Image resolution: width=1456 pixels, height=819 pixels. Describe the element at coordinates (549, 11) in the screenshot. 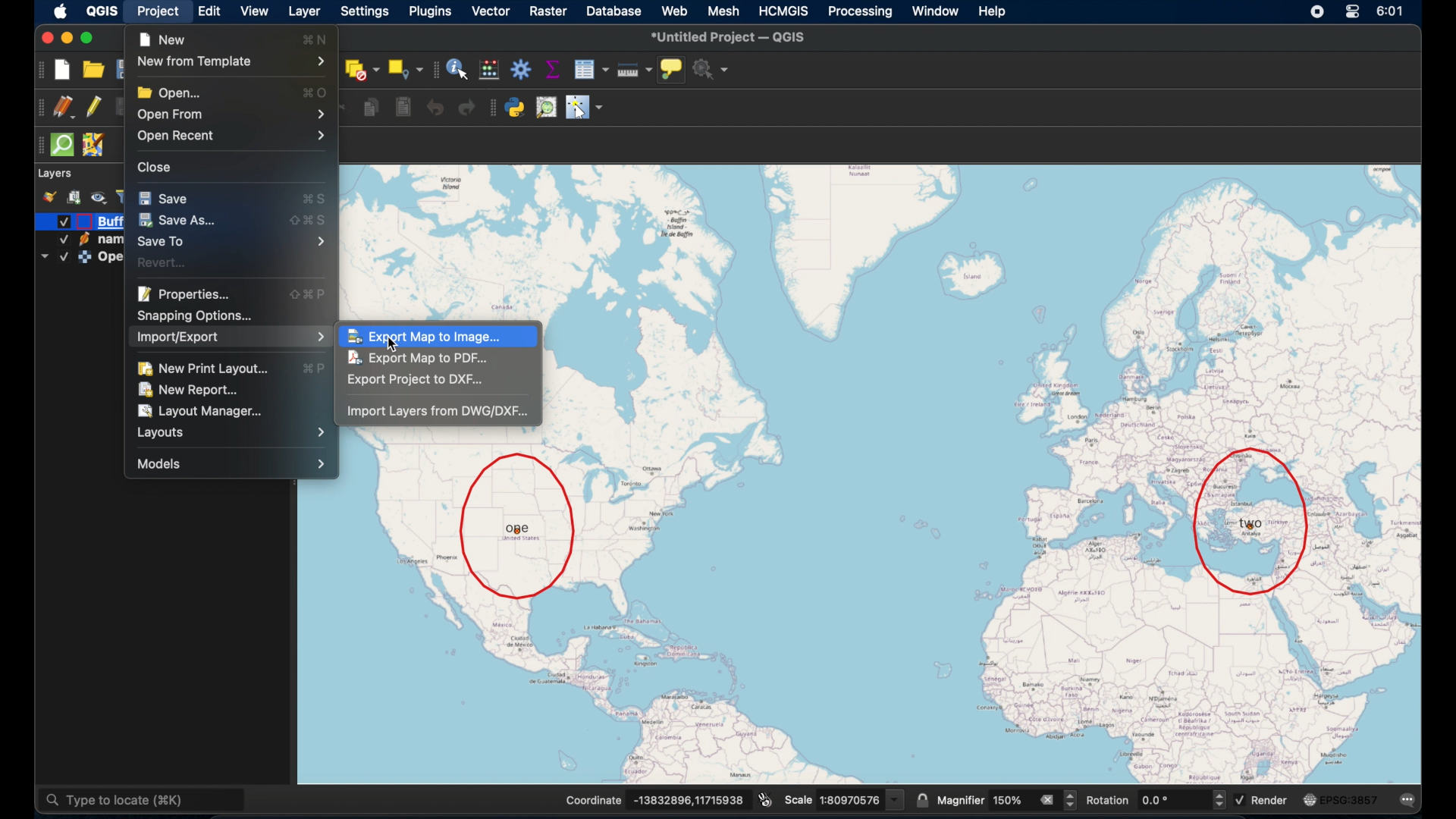

I see `raster` at that location.